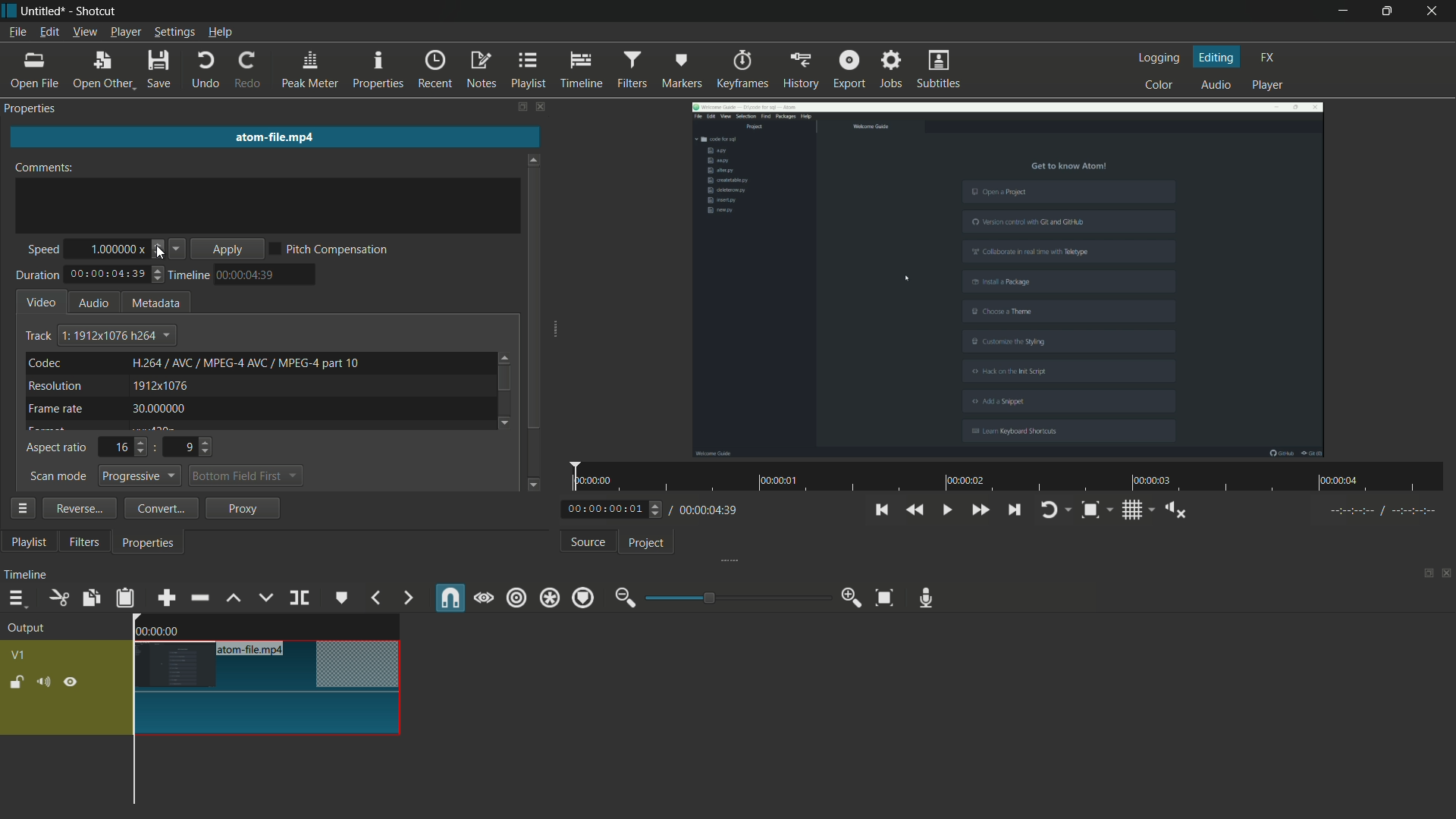 This screenshot has width=1456, height=819. I want to click on editing, so click(1216, 57).